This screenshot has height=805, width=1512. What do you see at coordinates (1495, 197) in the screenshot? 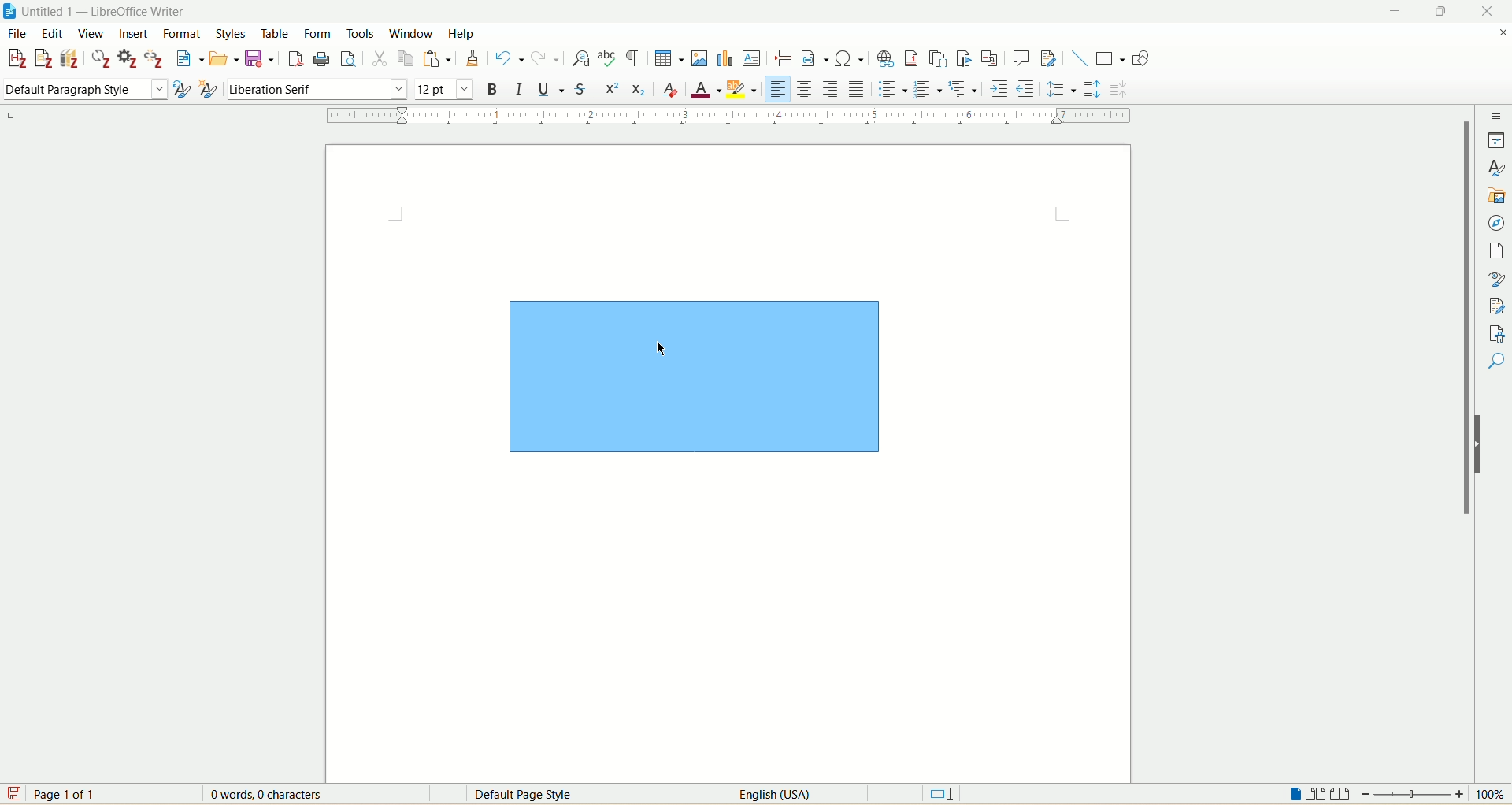
I see `gallery` at bounding box center [1495, 197].